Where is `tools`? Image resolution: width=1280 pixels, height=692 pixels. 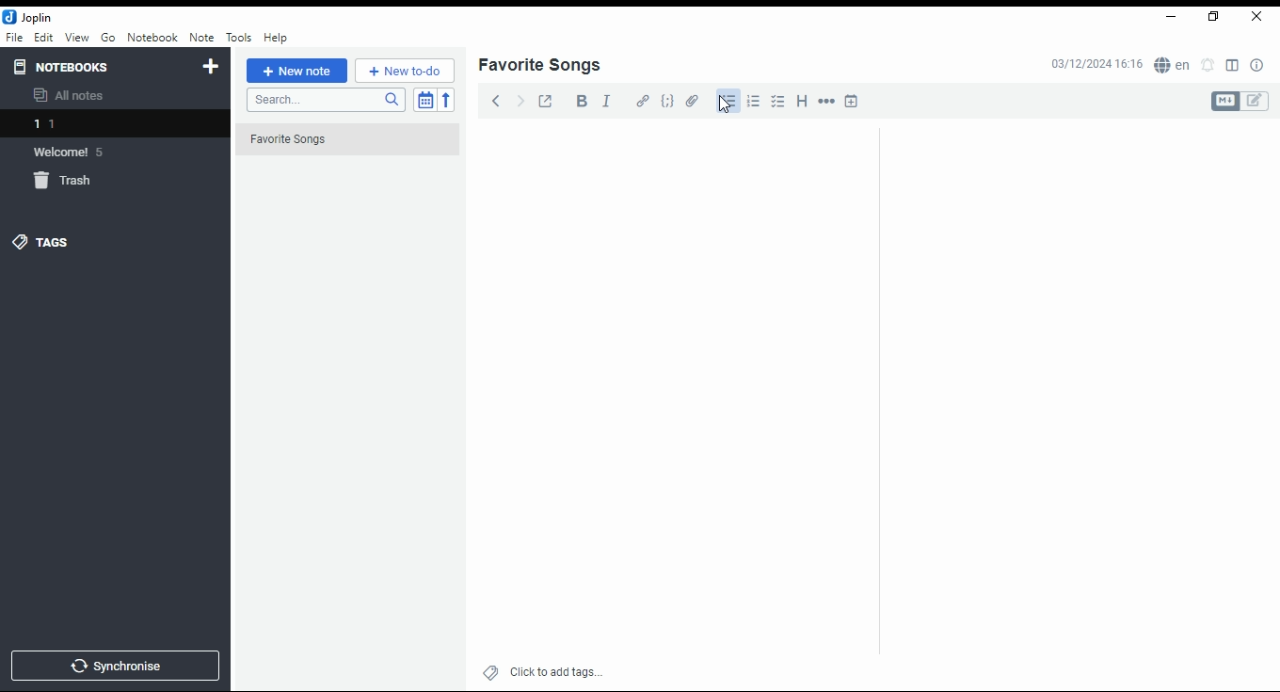 tools is located at coordinates (240, 38).